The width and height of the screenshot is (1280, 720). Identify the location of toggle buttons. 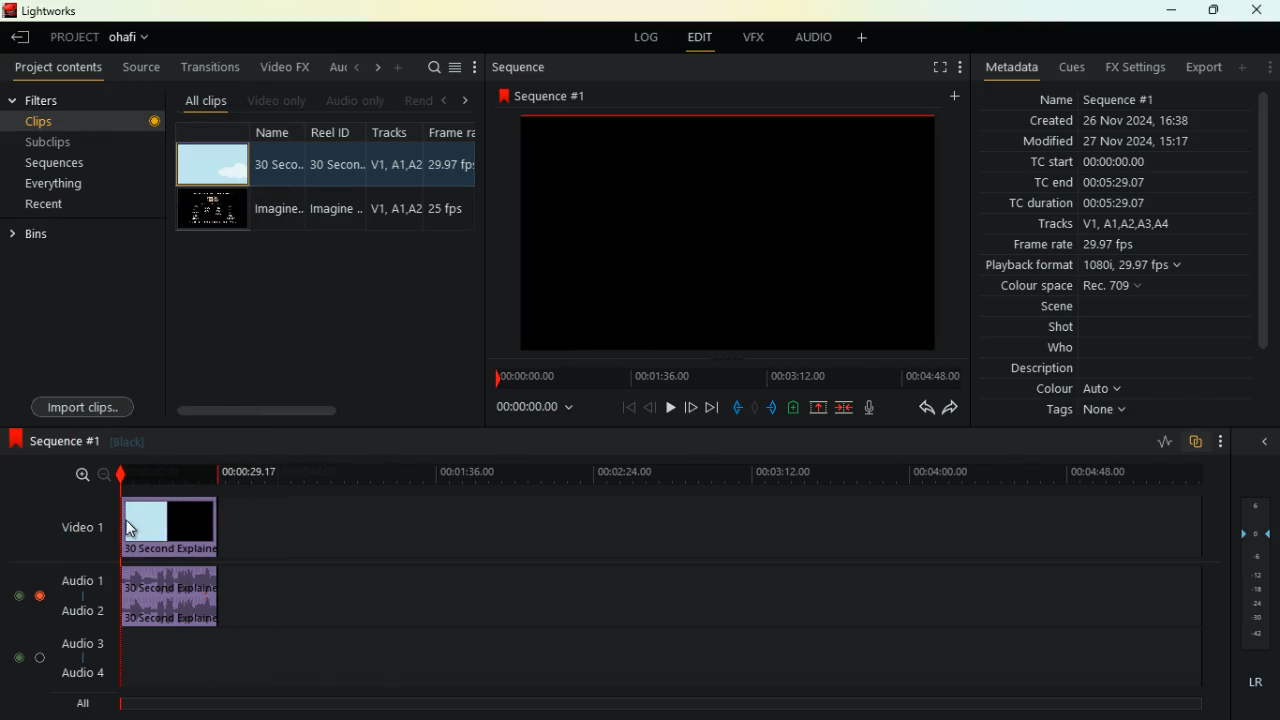
(27, 620).